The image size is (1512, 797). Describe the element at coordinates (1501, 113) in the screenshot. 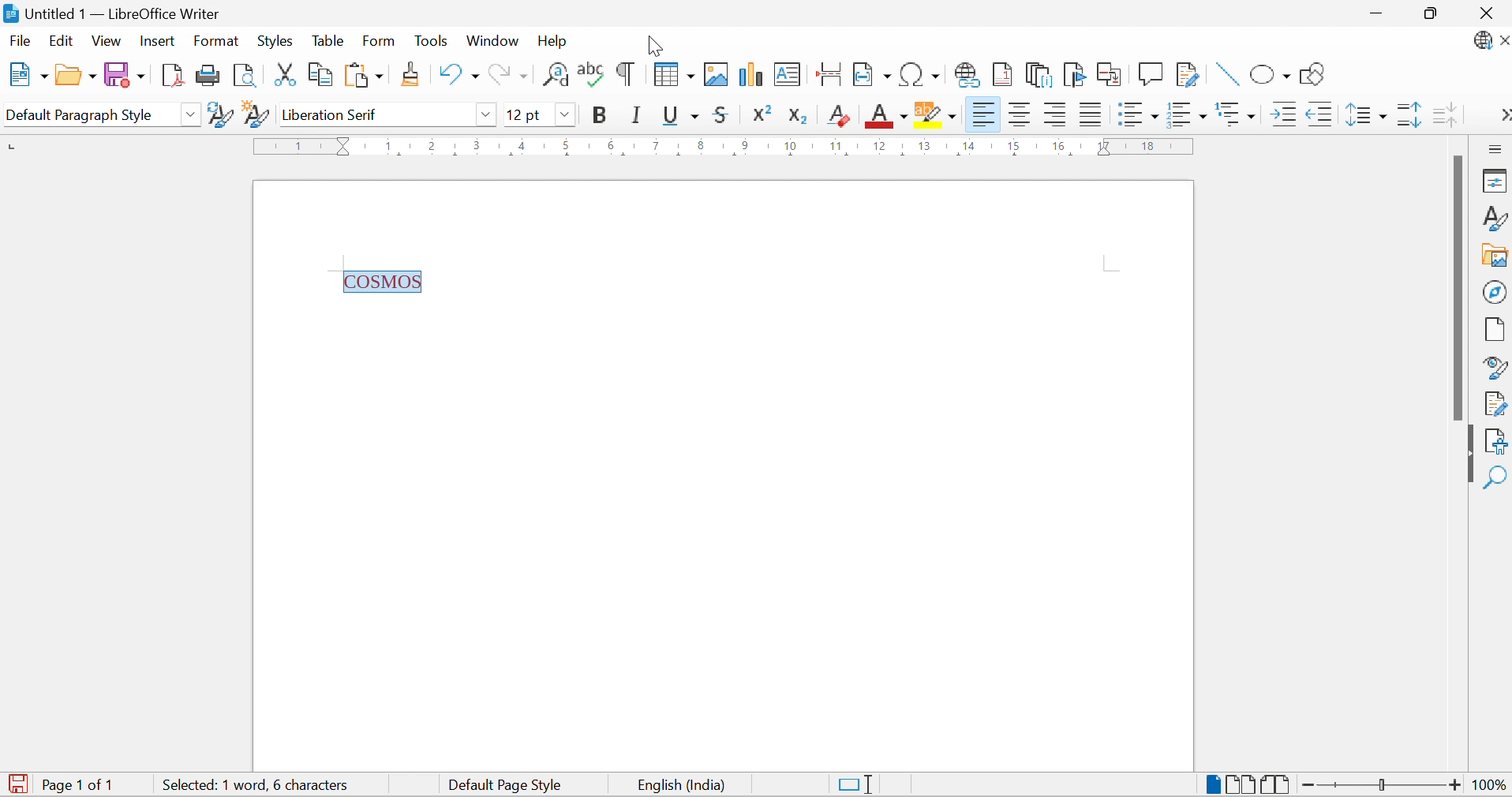

I see `More` at that location.